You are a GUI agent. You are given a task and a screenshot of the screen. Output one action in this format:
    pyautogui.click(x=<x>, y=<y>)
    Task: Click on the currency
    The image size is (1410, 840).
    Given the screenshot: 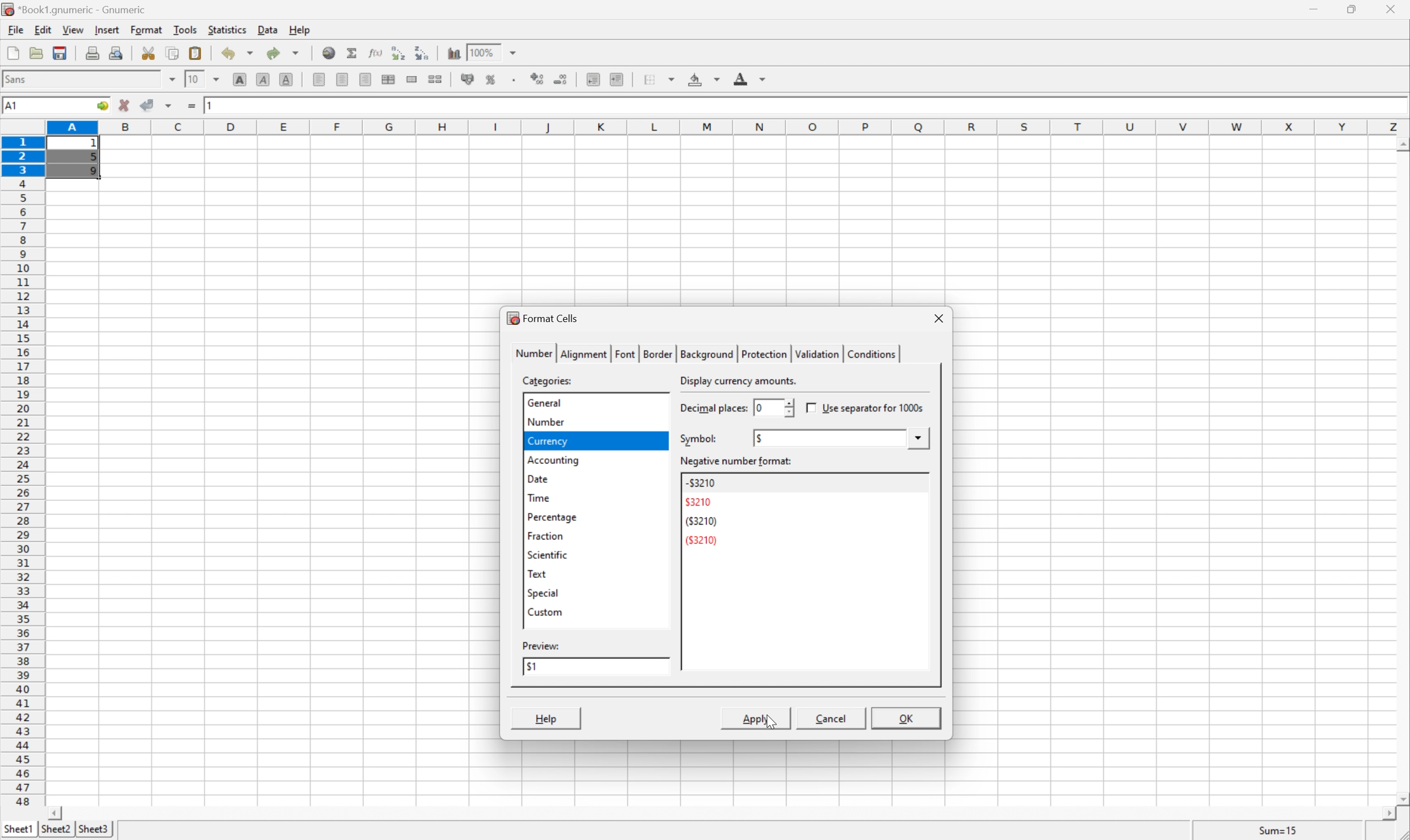 What is the action you would take?
    pyautogui.click(x=546, y=441)
    